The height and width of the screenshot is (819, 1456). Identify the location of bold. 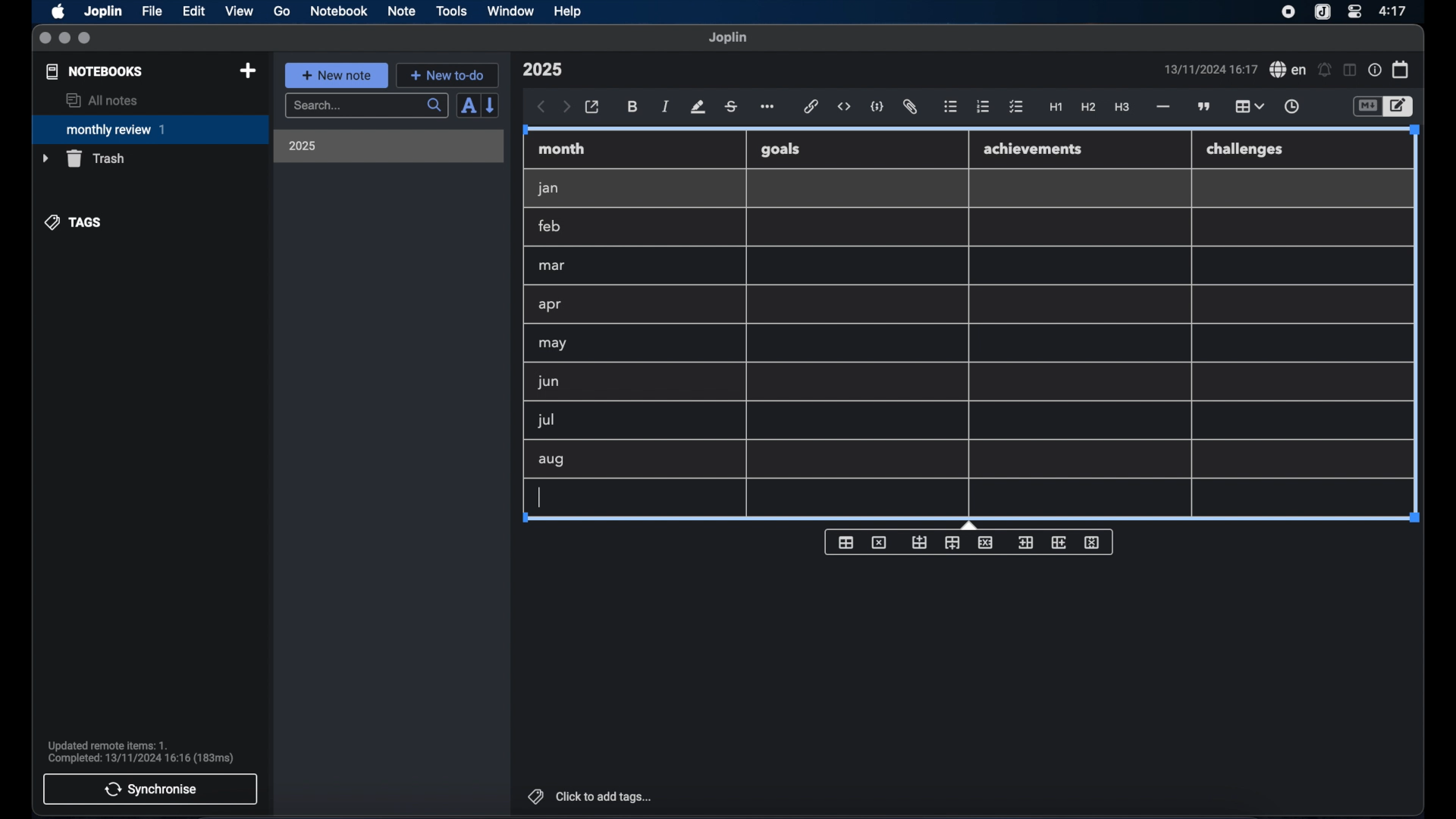
(634, 107).